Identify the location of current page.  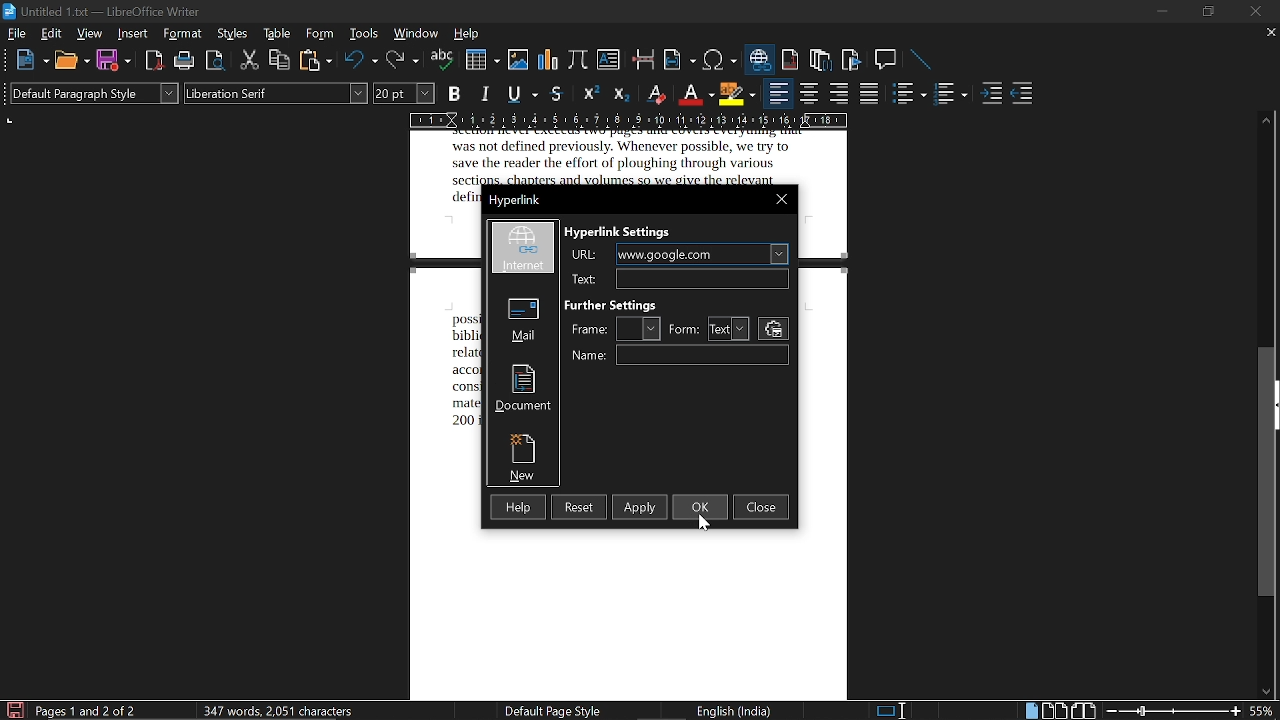
(87, 710).